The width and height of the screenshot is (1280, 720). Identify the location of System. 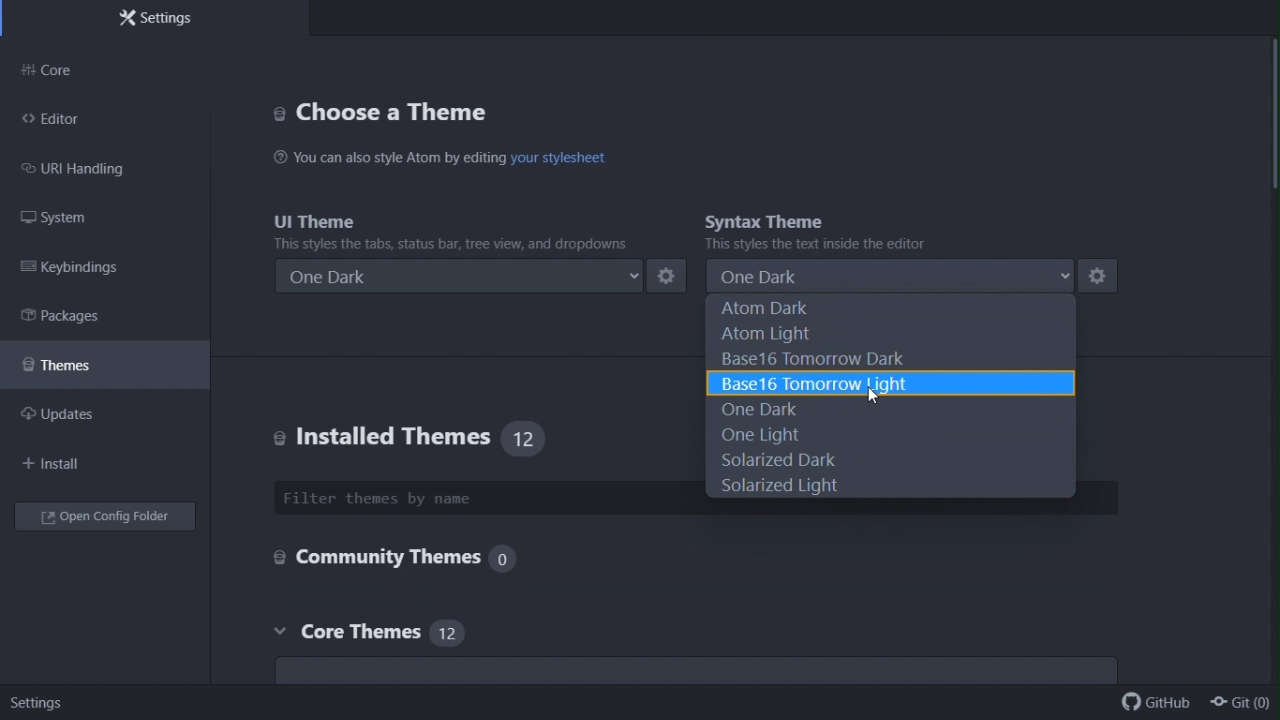
(61, 219).